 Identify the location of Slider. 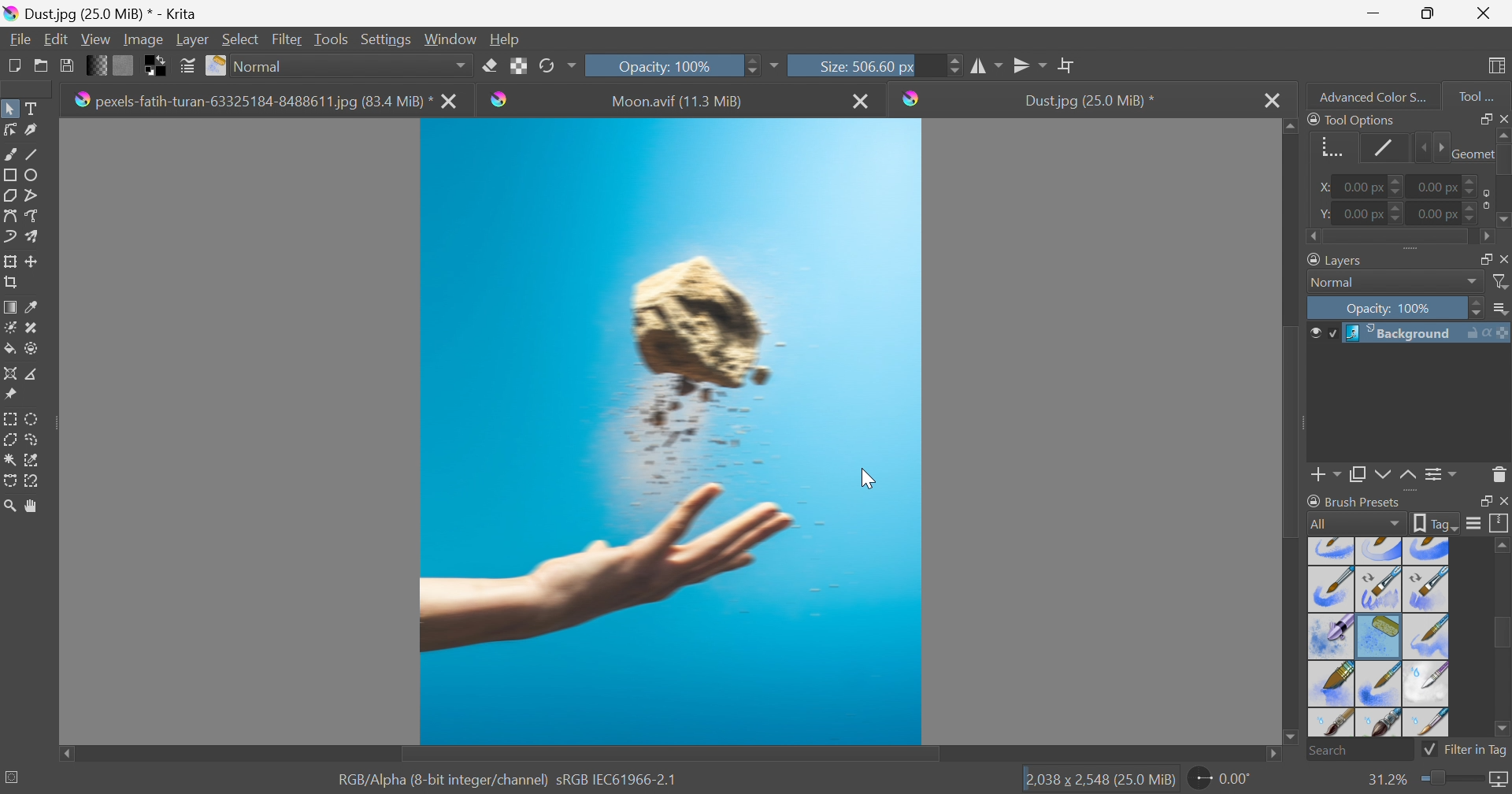
(1472, 216).